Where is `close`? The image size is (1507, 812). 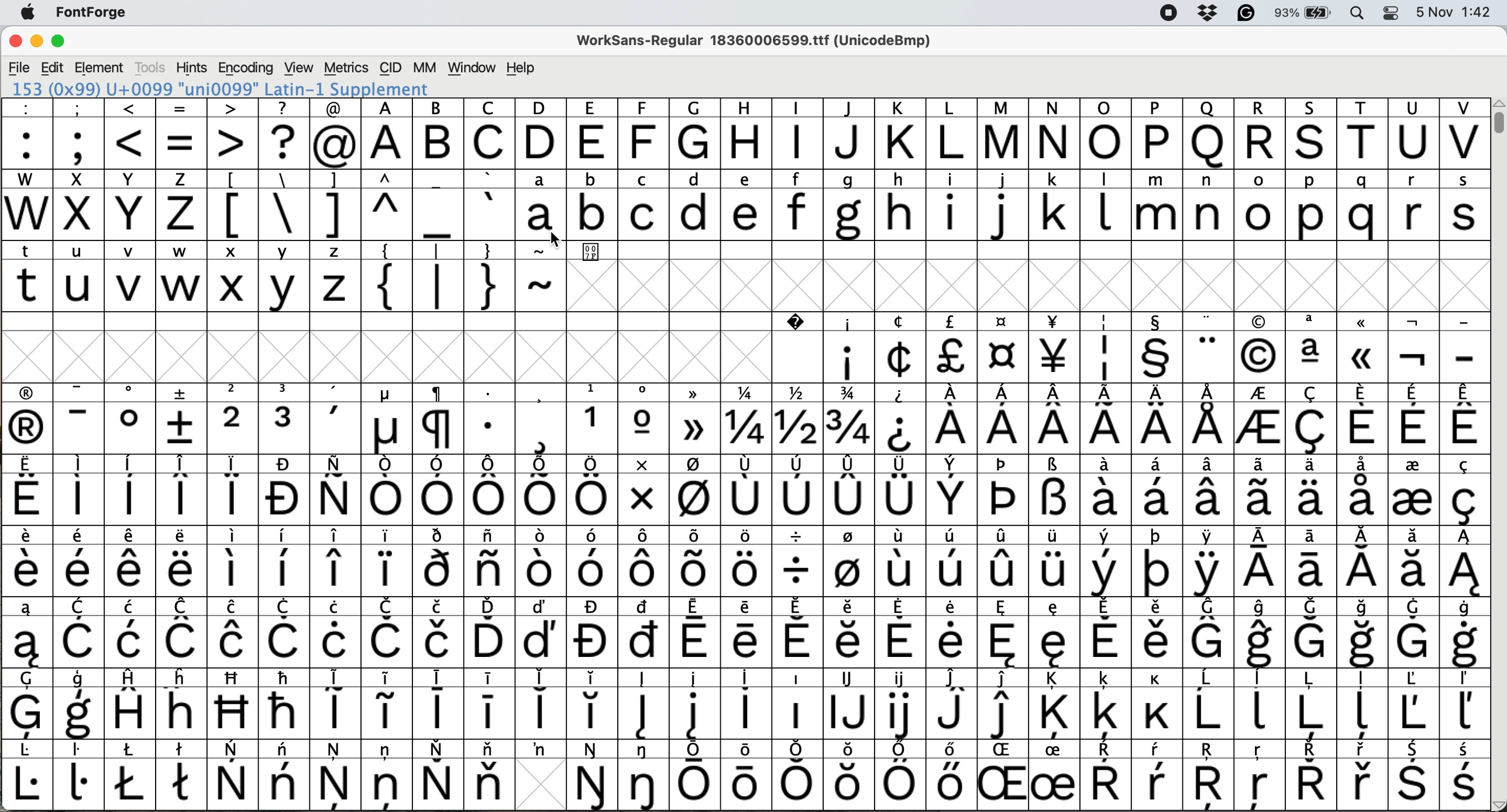
close is located at coordinates (15, 43).